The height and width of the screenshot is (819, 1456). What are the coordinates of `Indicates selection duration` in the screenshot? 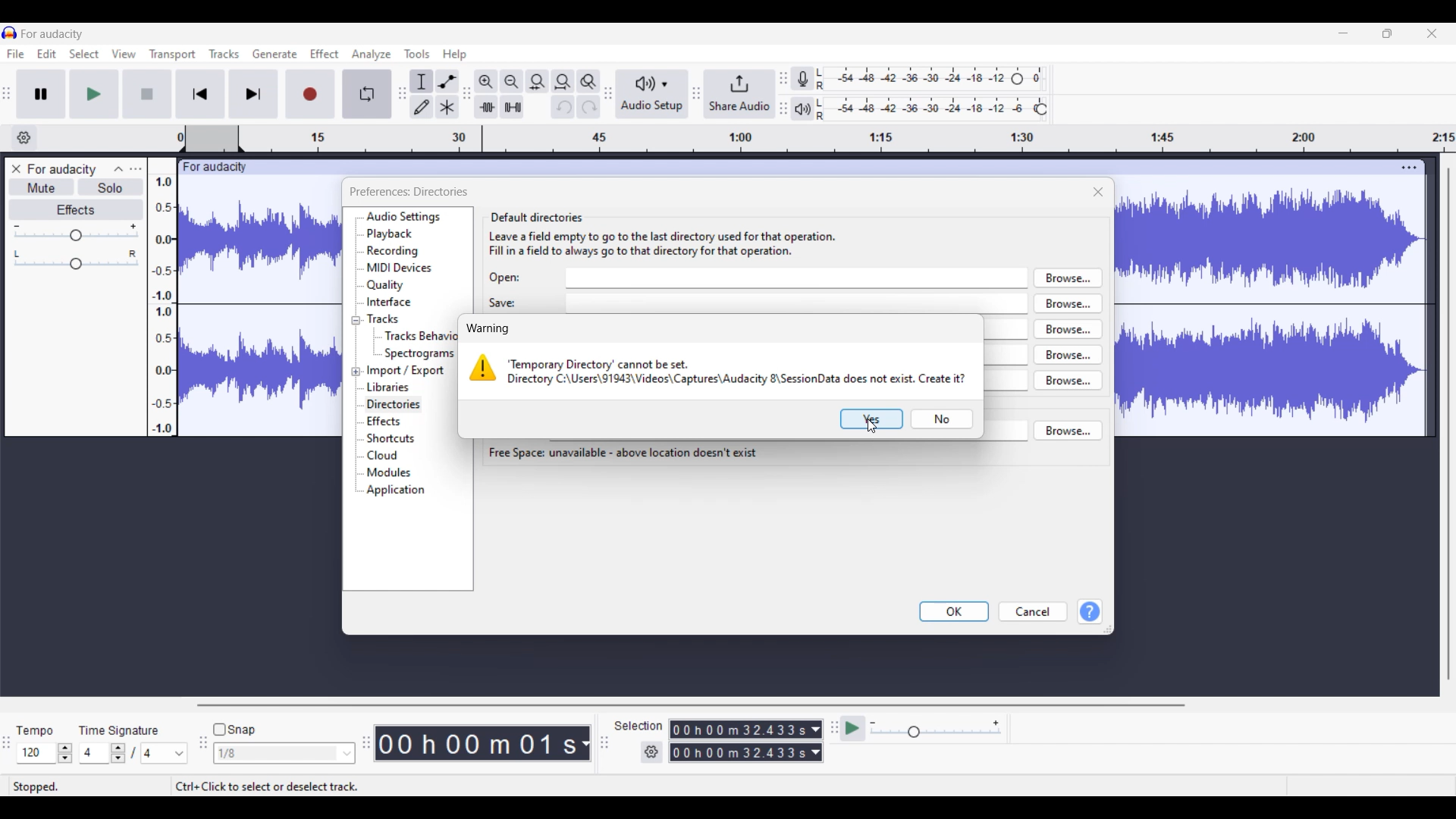 It's located at (639, 726).